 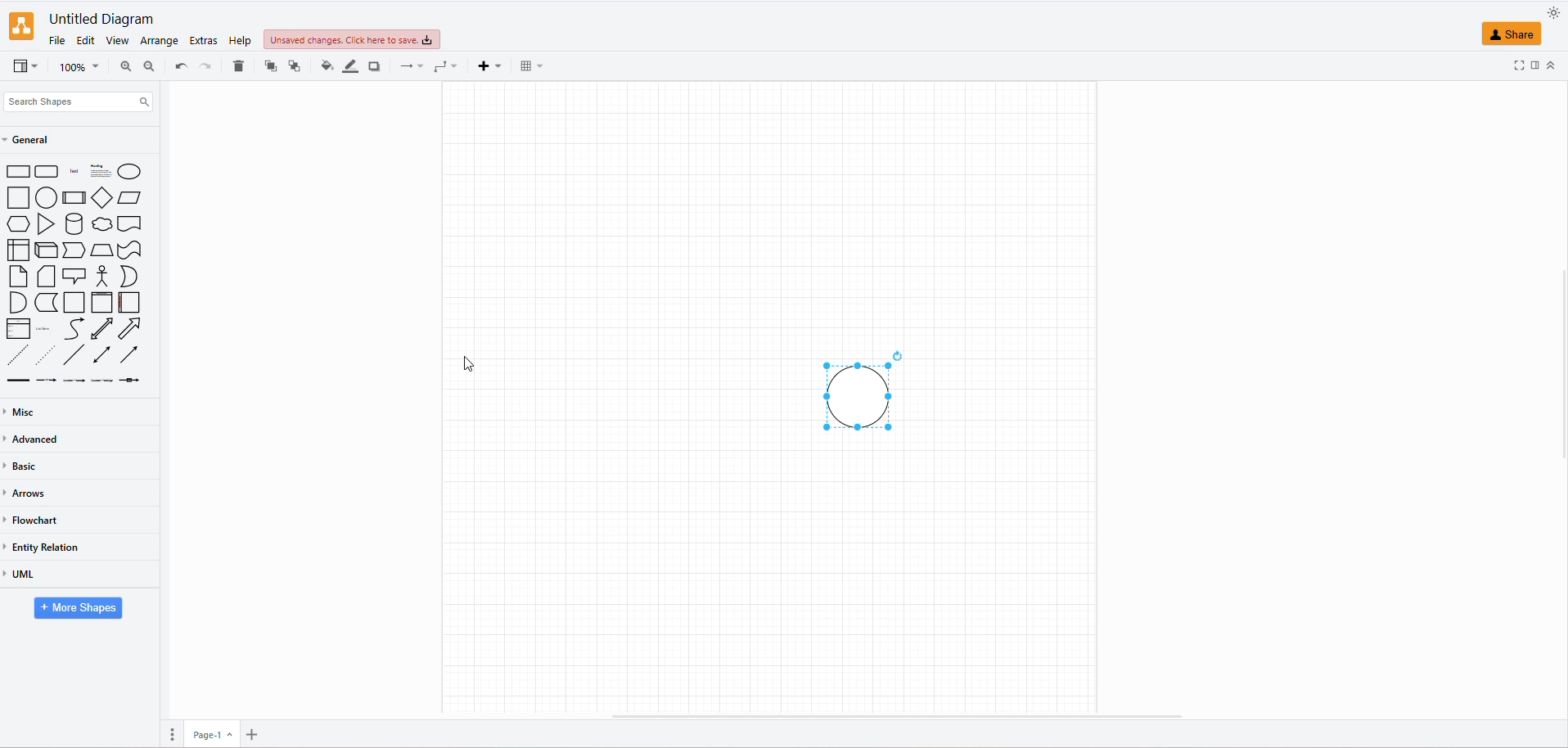 I want to click on SHARE, so click(x=1513, y=34).